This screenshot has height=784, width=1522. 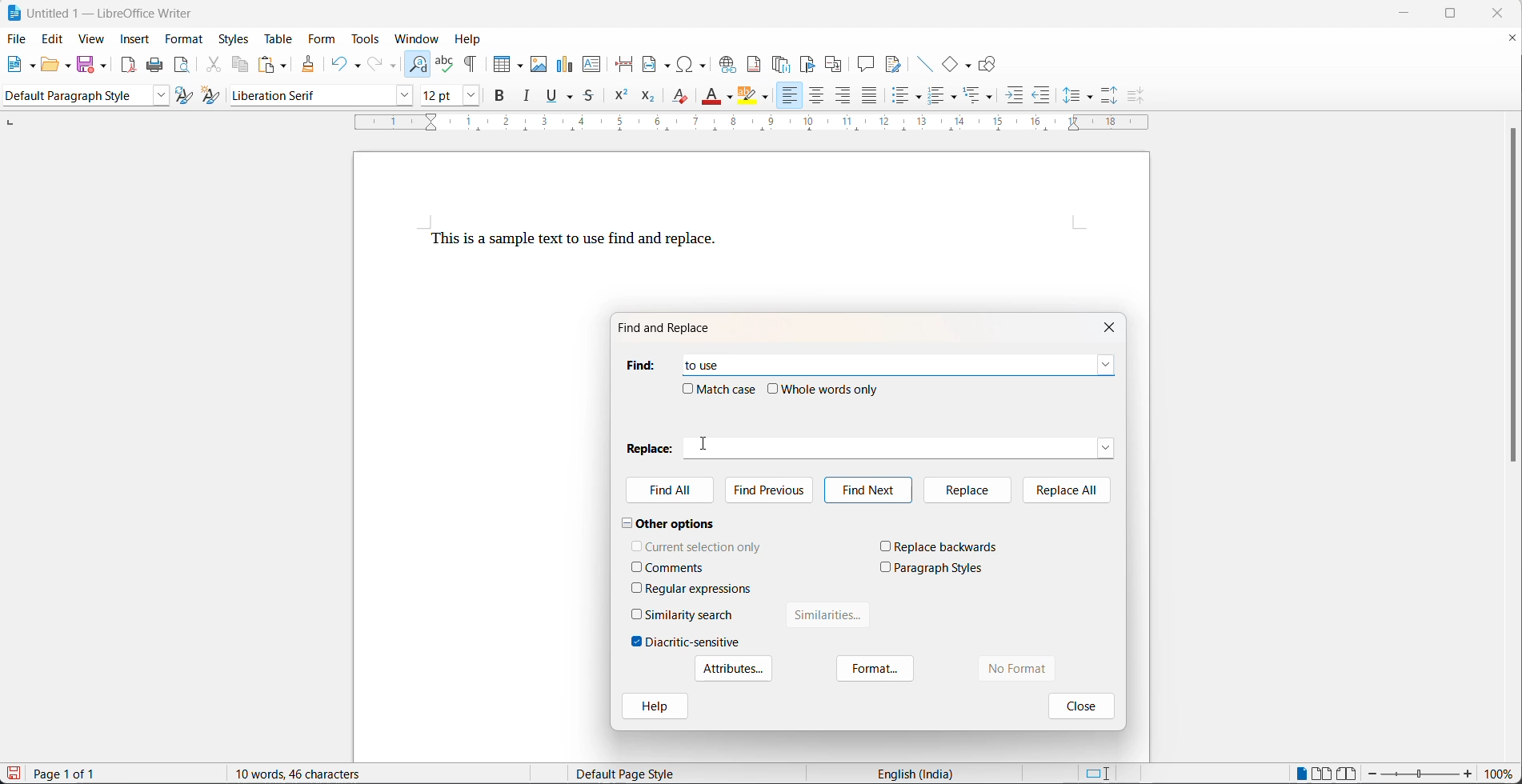 What do you see at coordinates (920, 773) in the screenshot?
I see `English (India)` at bounding box center [920, 773].